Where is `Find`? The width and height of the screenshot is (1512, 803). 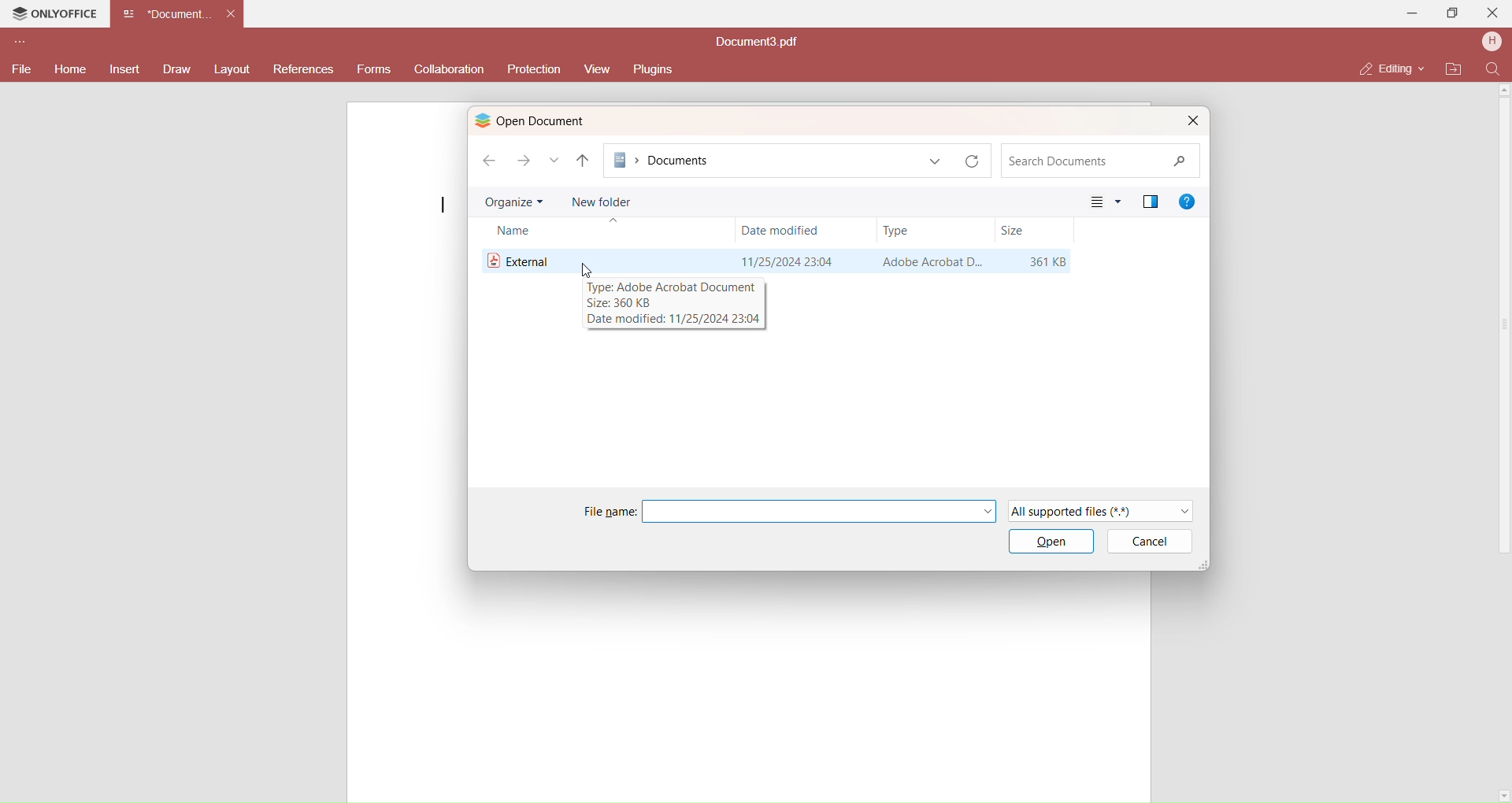
Find is located at coordinates (1493, 69).